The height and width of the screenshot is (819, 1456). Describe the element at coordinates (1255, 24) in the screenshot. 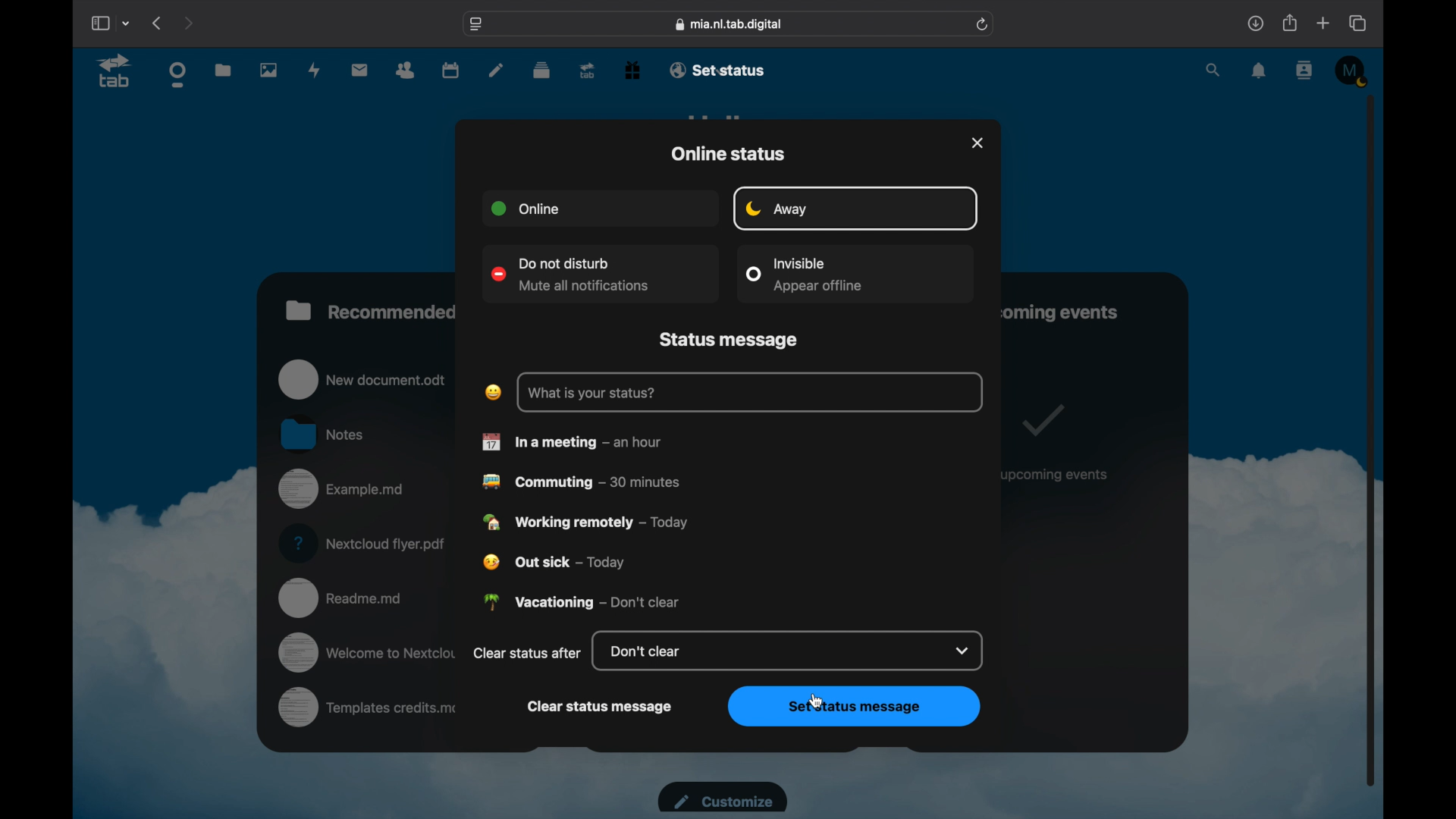

I see `downloads` at that location.